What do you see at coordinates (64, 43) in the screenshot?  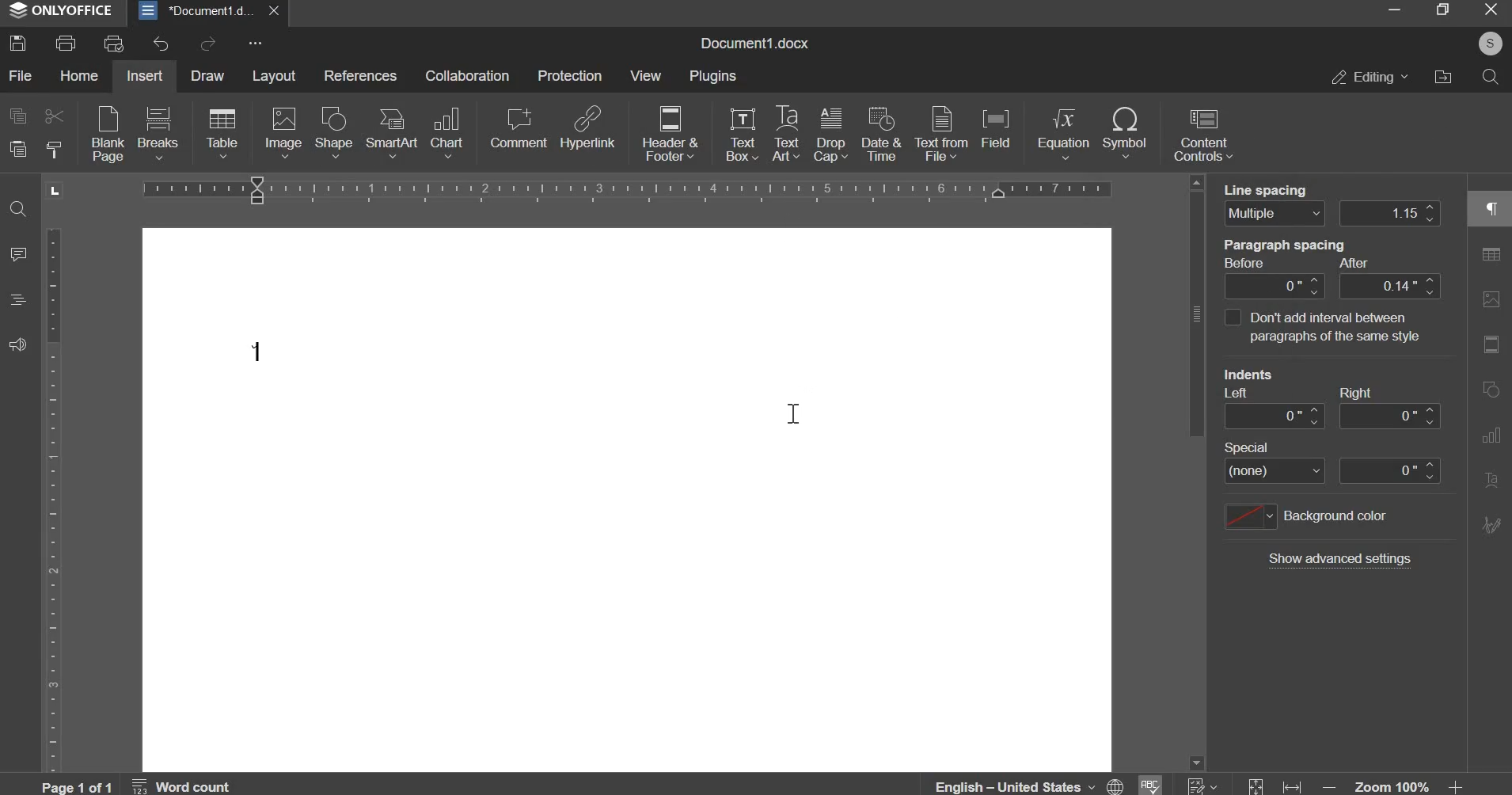 I see `print` at bounding box center [64, 43].